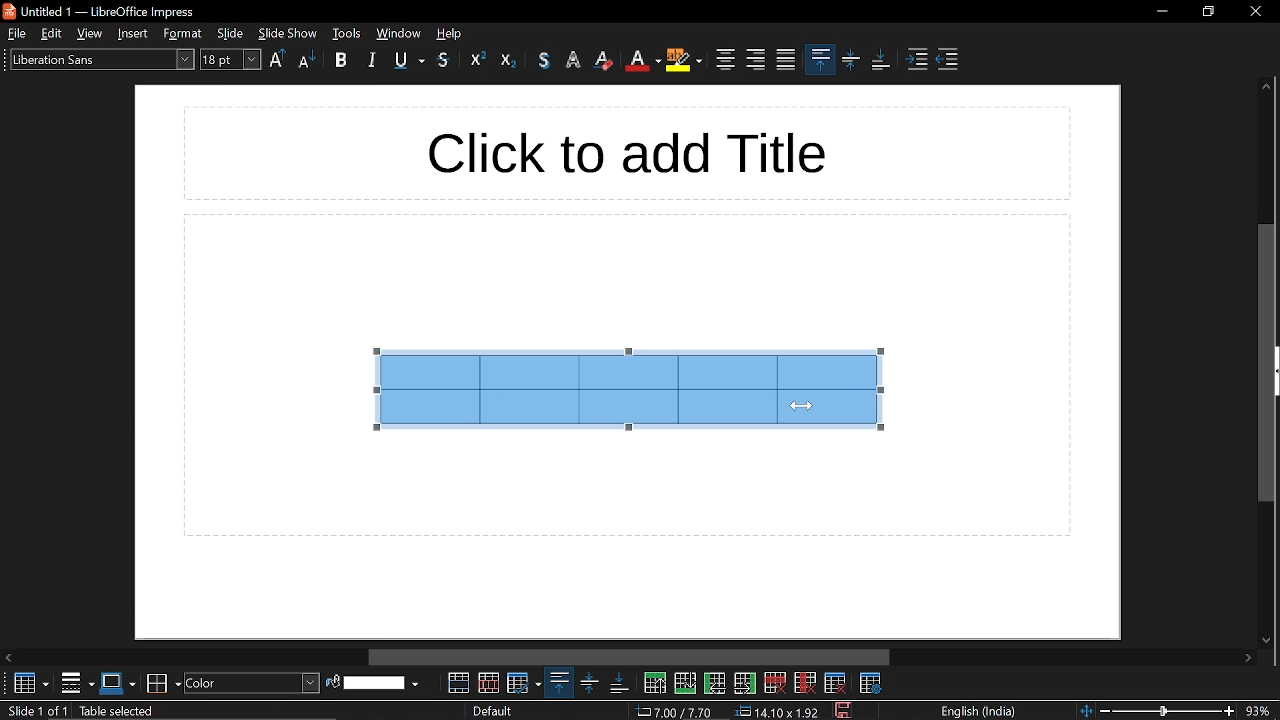 The height and width of the screenshot is (720, 1280). Describe the element at coordinates (232, 33) in the screenshot. I see `slide` at that location.